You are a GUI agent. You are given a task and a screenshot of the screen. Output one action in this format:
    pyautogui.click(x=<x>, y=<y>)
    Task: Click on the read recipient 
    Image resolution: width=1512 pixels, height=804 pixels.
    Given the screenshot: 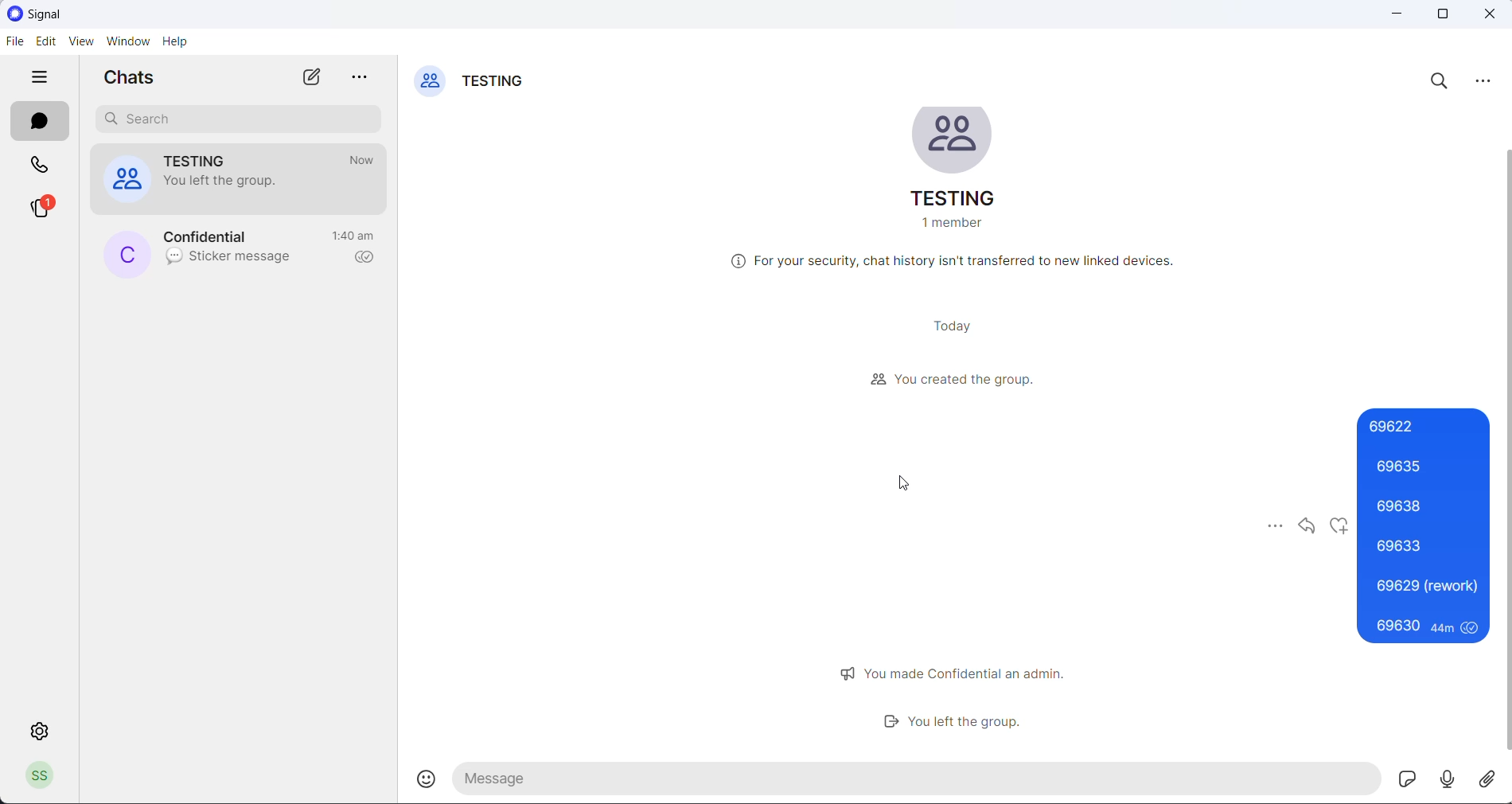 What is the action you would take?
    pyautogui.click(x=365, y=259)
    